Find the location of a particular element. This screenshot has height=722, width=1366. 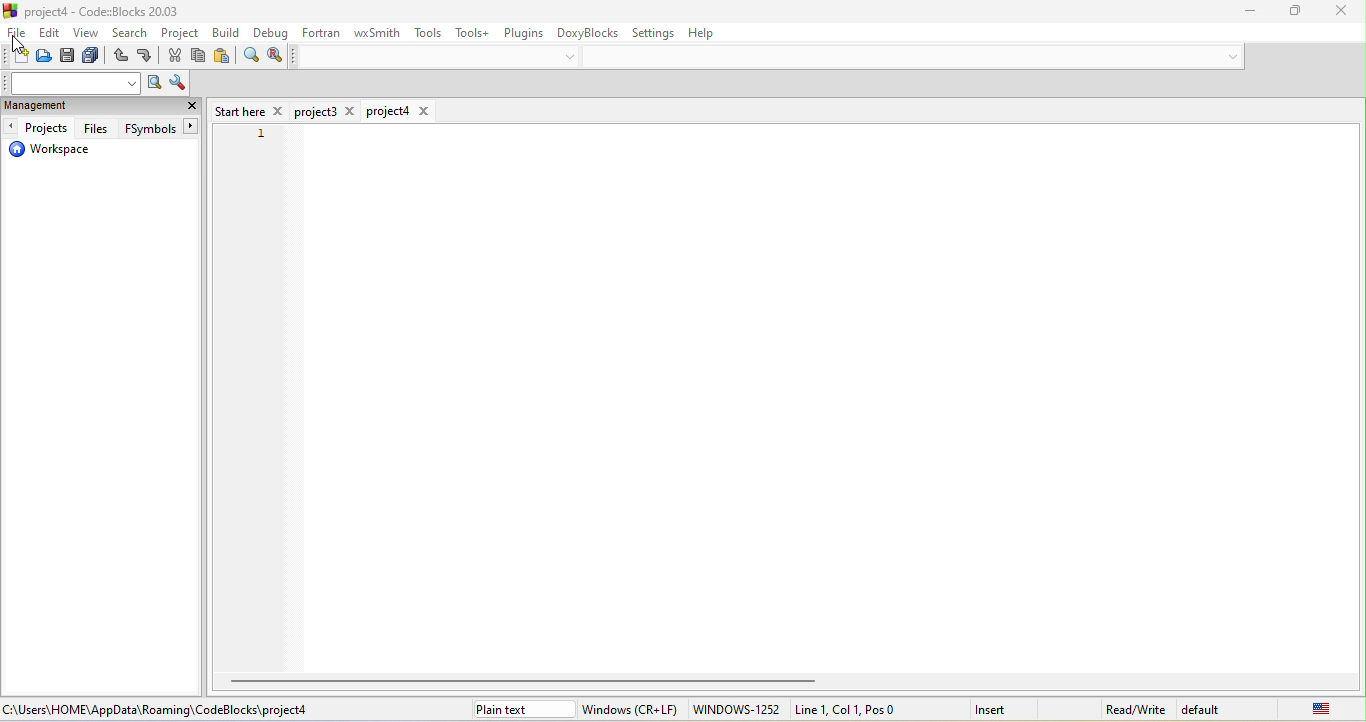

build is located at coordinates (228, 32).